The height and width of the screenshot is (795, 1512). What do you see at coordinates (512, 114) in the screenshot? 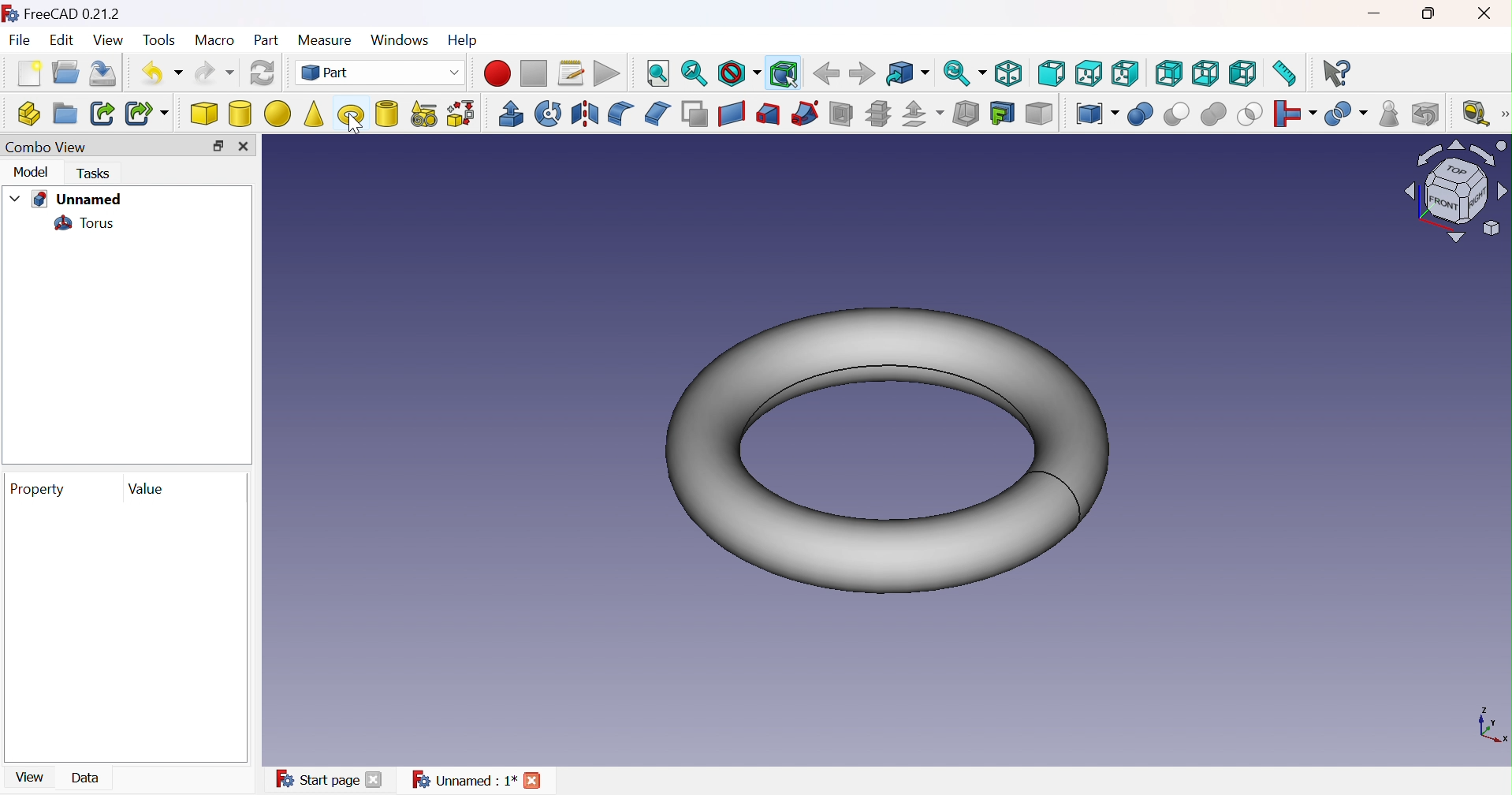
I see `Extrude` at bounding box center [512, 114].